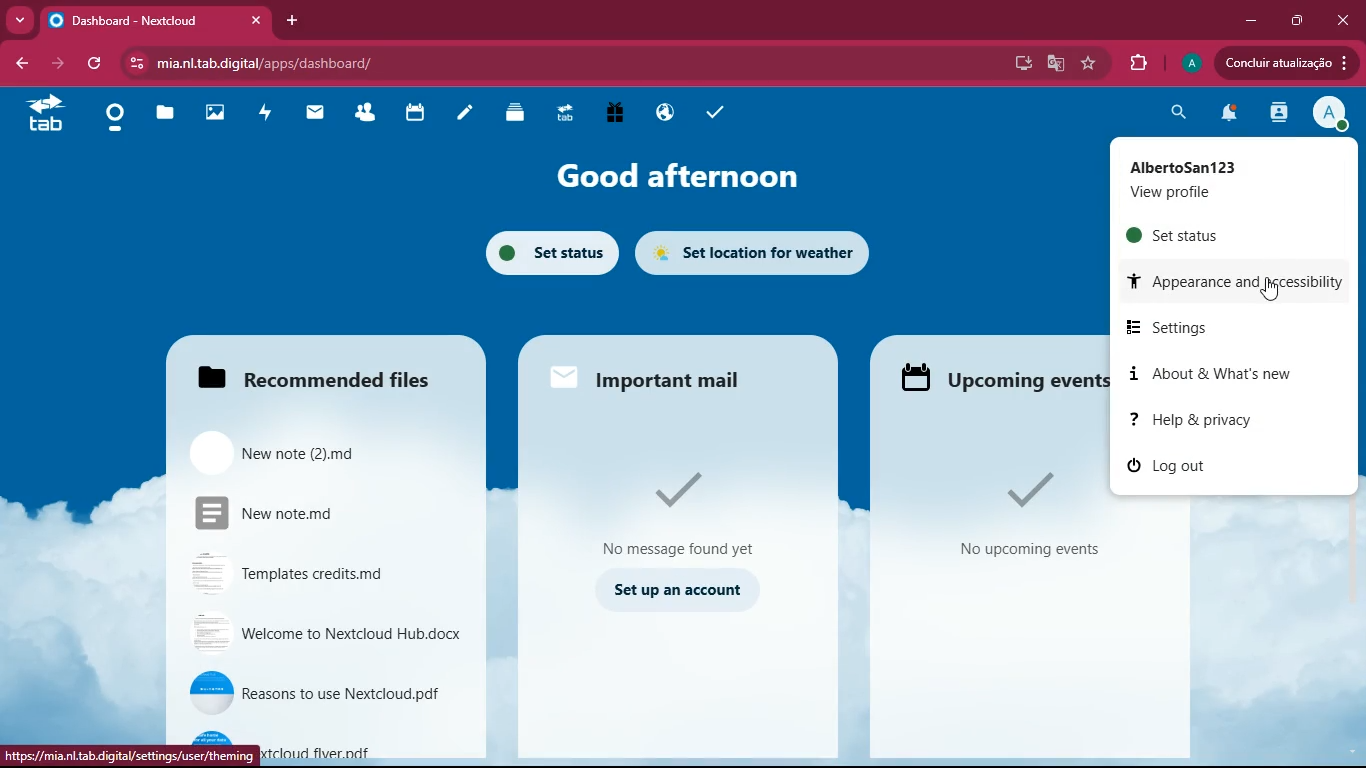  What do you see at coordinates (717, 111) in the screenshot?
I see `tasks` at bounding box center [717, 111].